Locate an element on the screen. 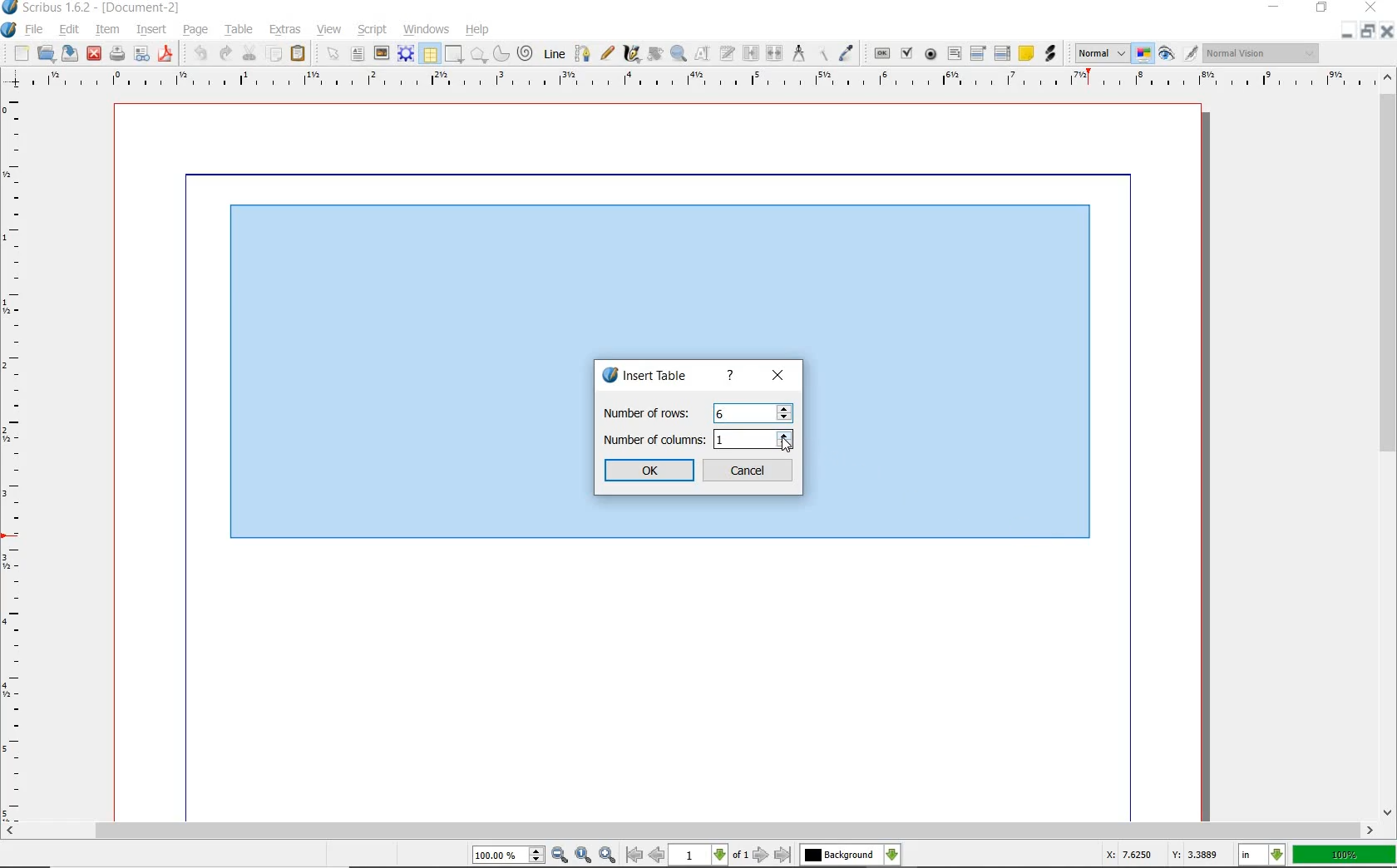  safe as pdf is located at coordinates (165, 54).